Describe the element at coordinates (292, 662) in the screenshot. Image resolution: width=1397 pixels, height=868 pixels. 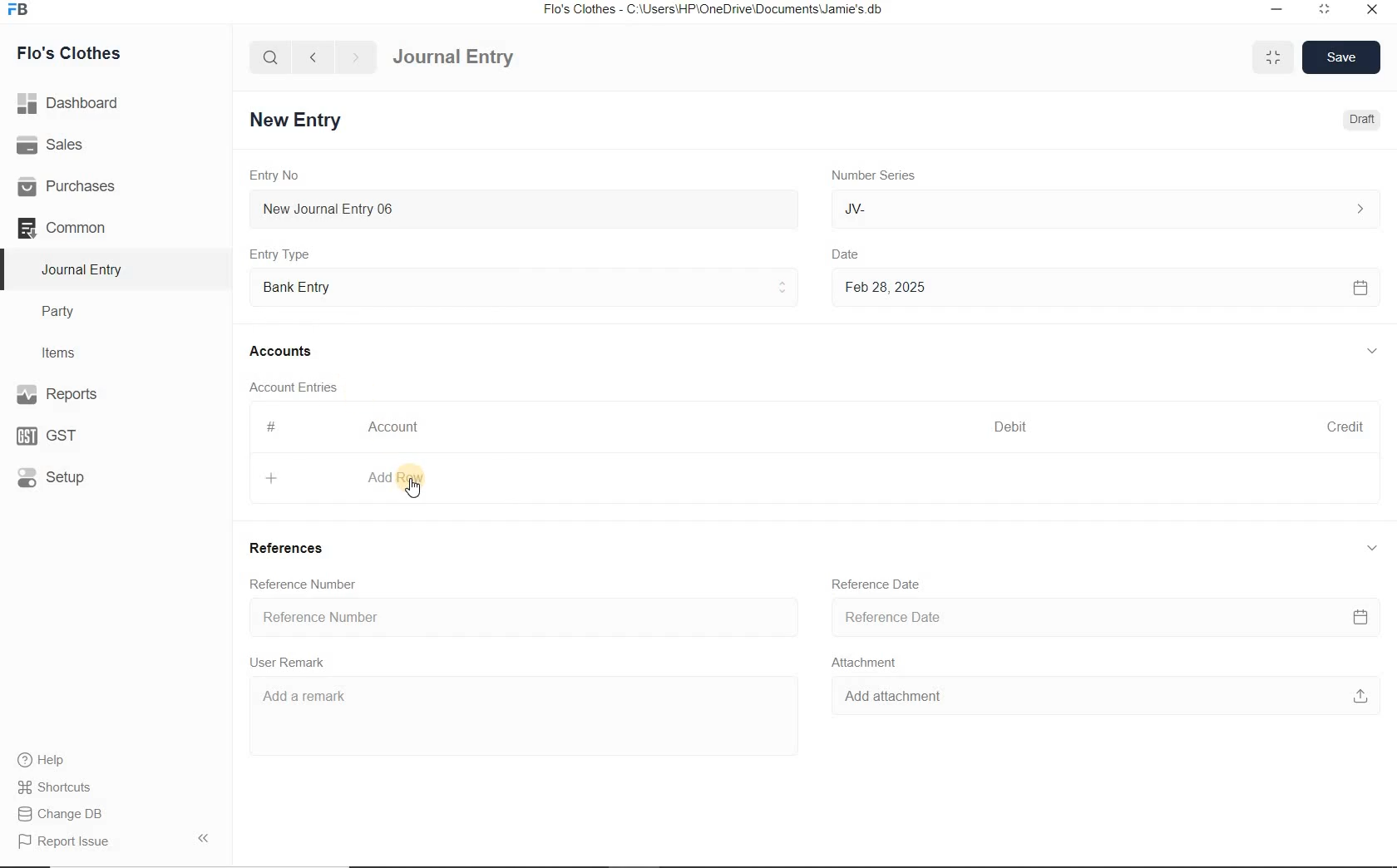
I see `User Remark` at that location.